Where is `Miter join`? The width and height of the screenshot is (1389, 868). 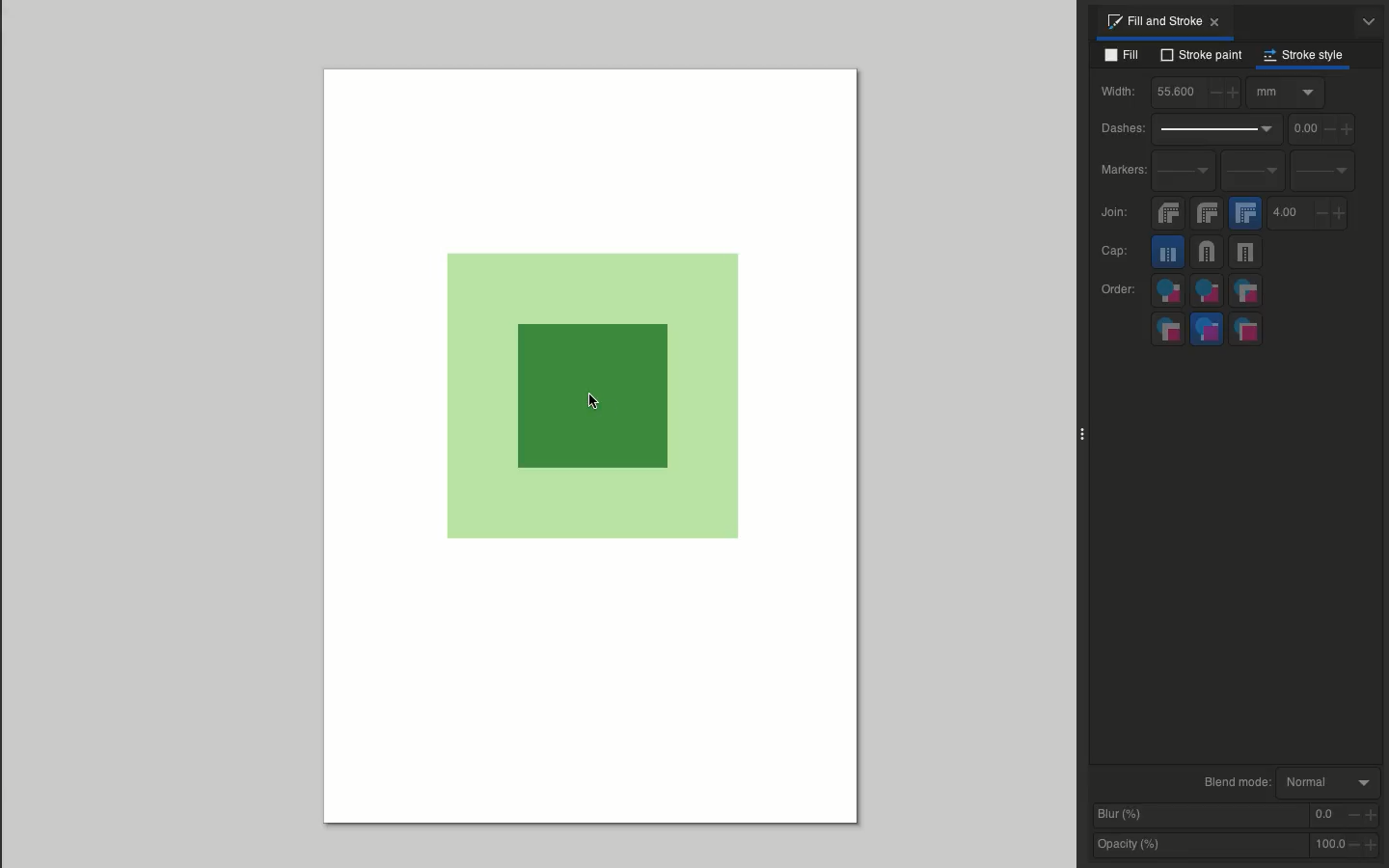 Miter join is located at coordinates (1250, 214).